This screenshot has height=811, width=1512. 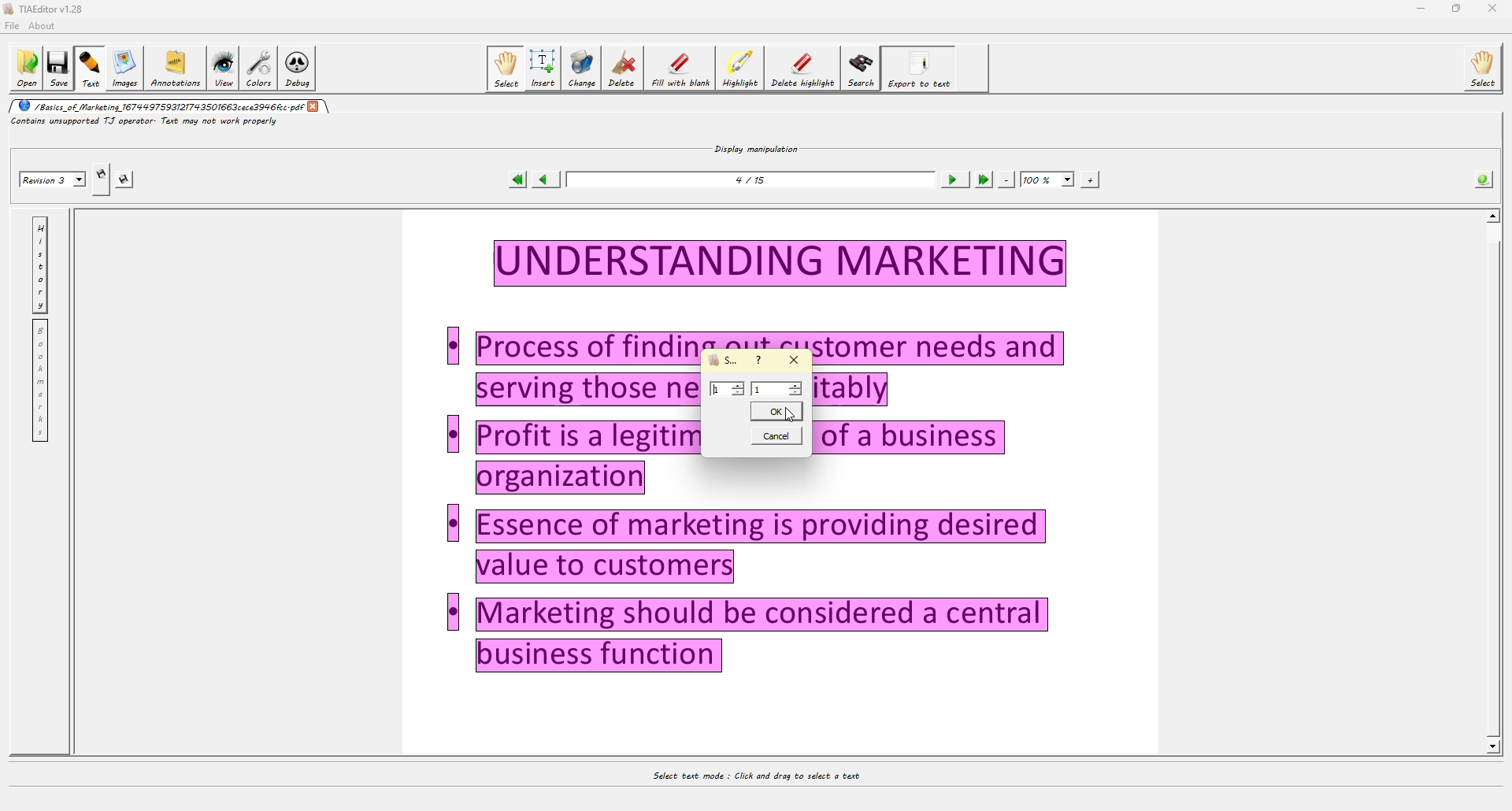 What do you see at coordinates (805, 65) in the screenshot?
I see `delete highlight` at bounding box center [805, 65].